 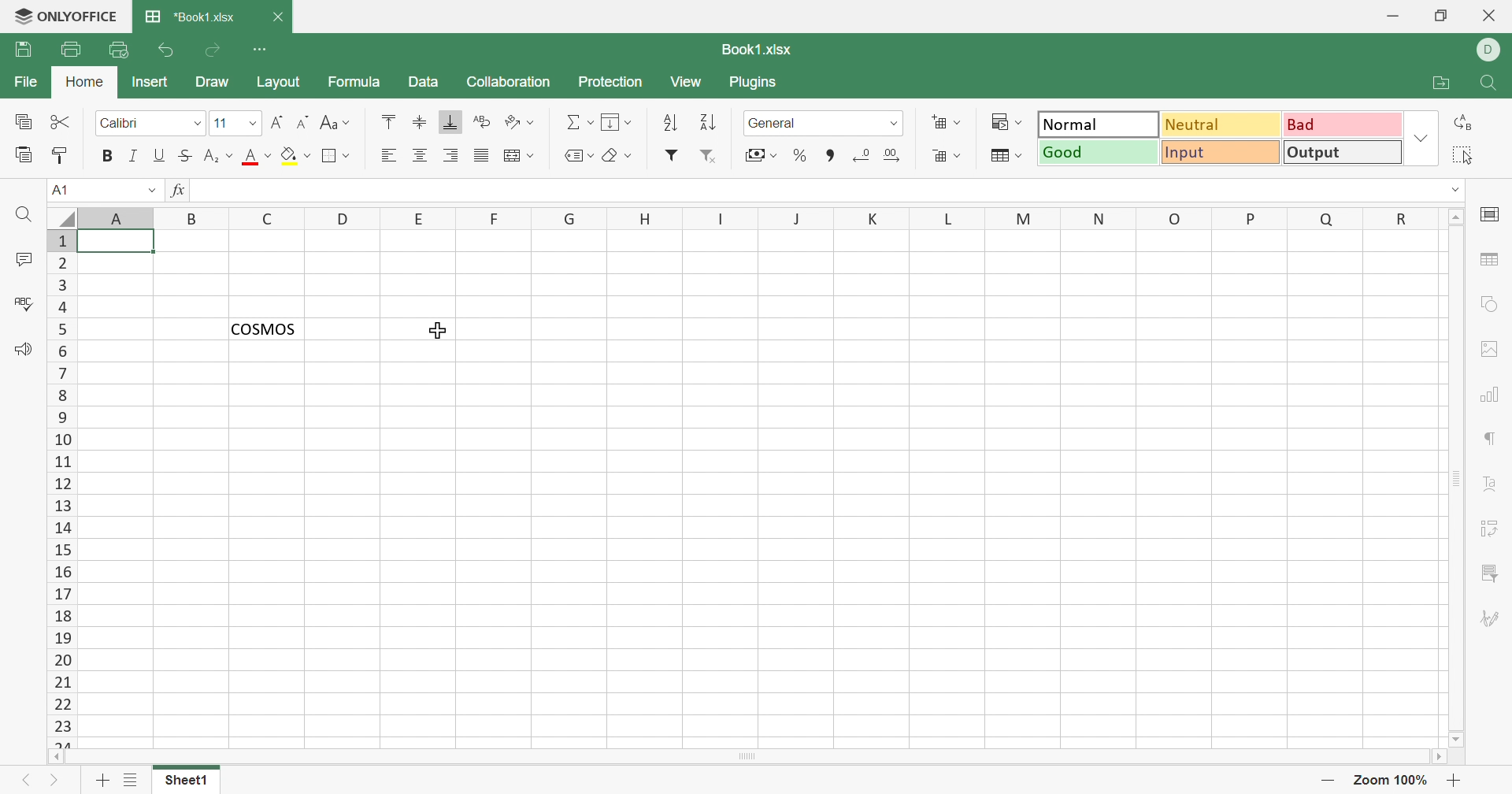 I want to click on Input, so click(x=1219, y=153).